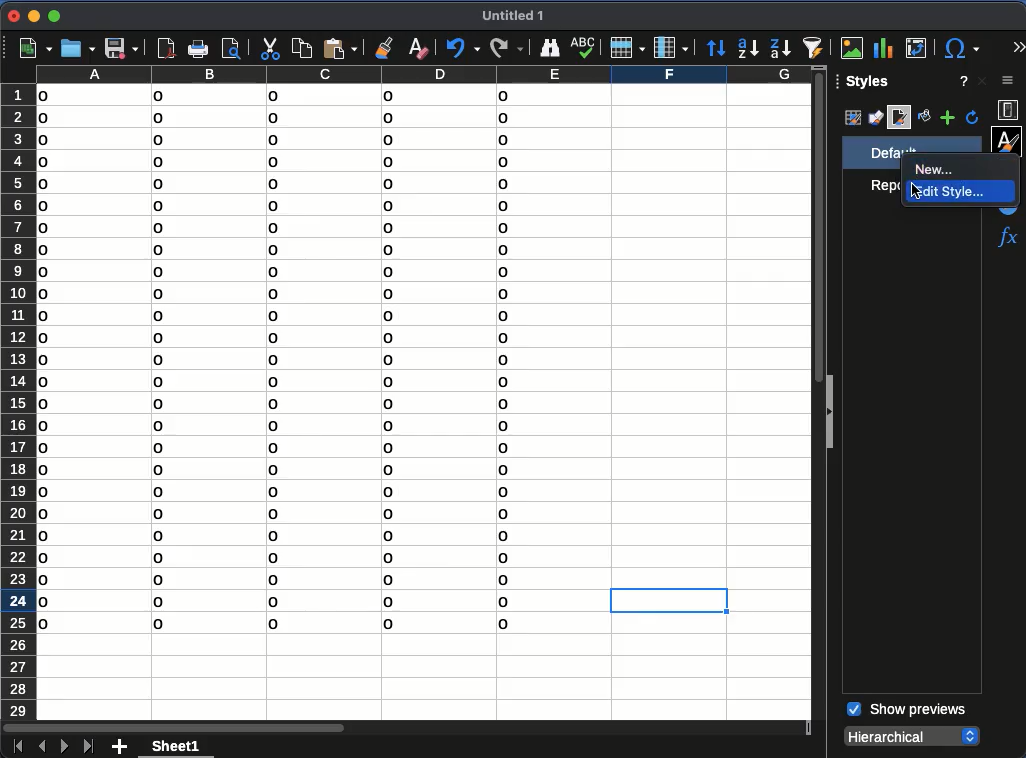 Image resolution: width=1026 pixels, height=758 pixels. What do you see at coordinates (901, 119) in the screenshot?
I see `page style` at bounding box center [901, 119].